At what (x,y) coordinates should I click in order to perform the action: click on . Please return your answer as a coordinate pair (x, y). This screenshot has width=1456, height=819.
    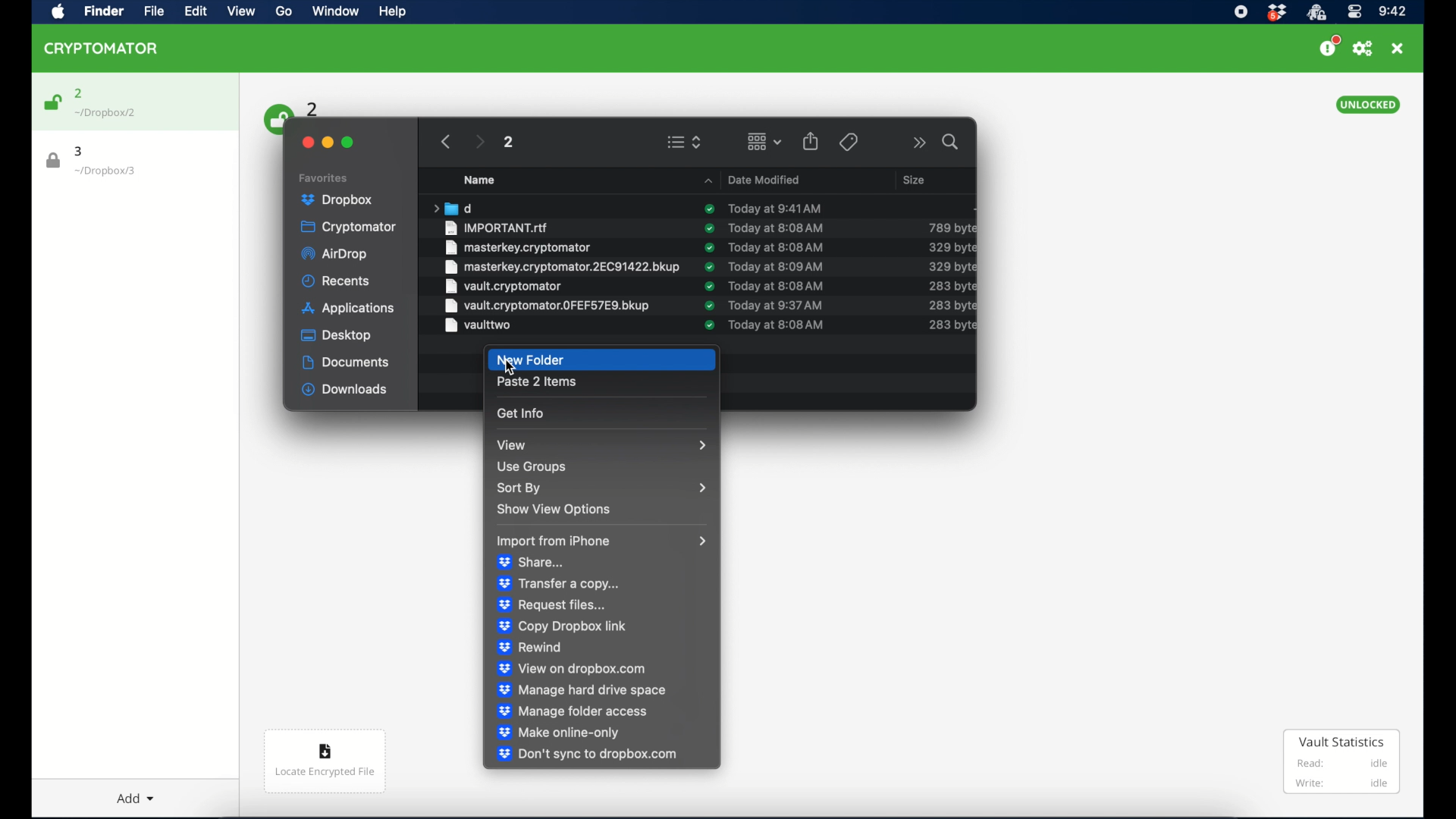
    Looking at the image, I should click on (776, 247).